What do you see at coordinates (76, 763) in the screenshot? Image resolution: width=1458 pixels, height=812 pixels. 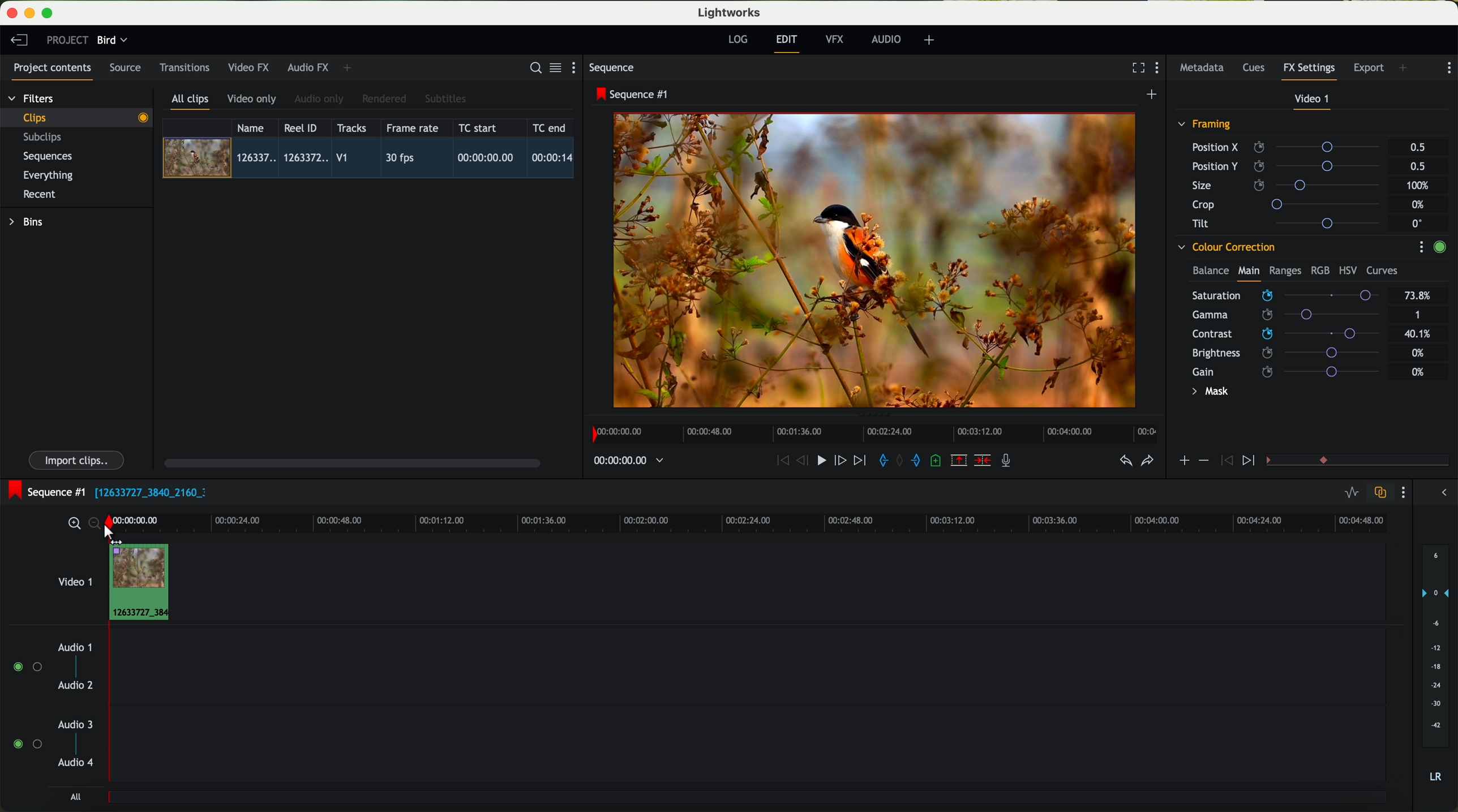 I see `audio 4` at bounding box center [76, 763].